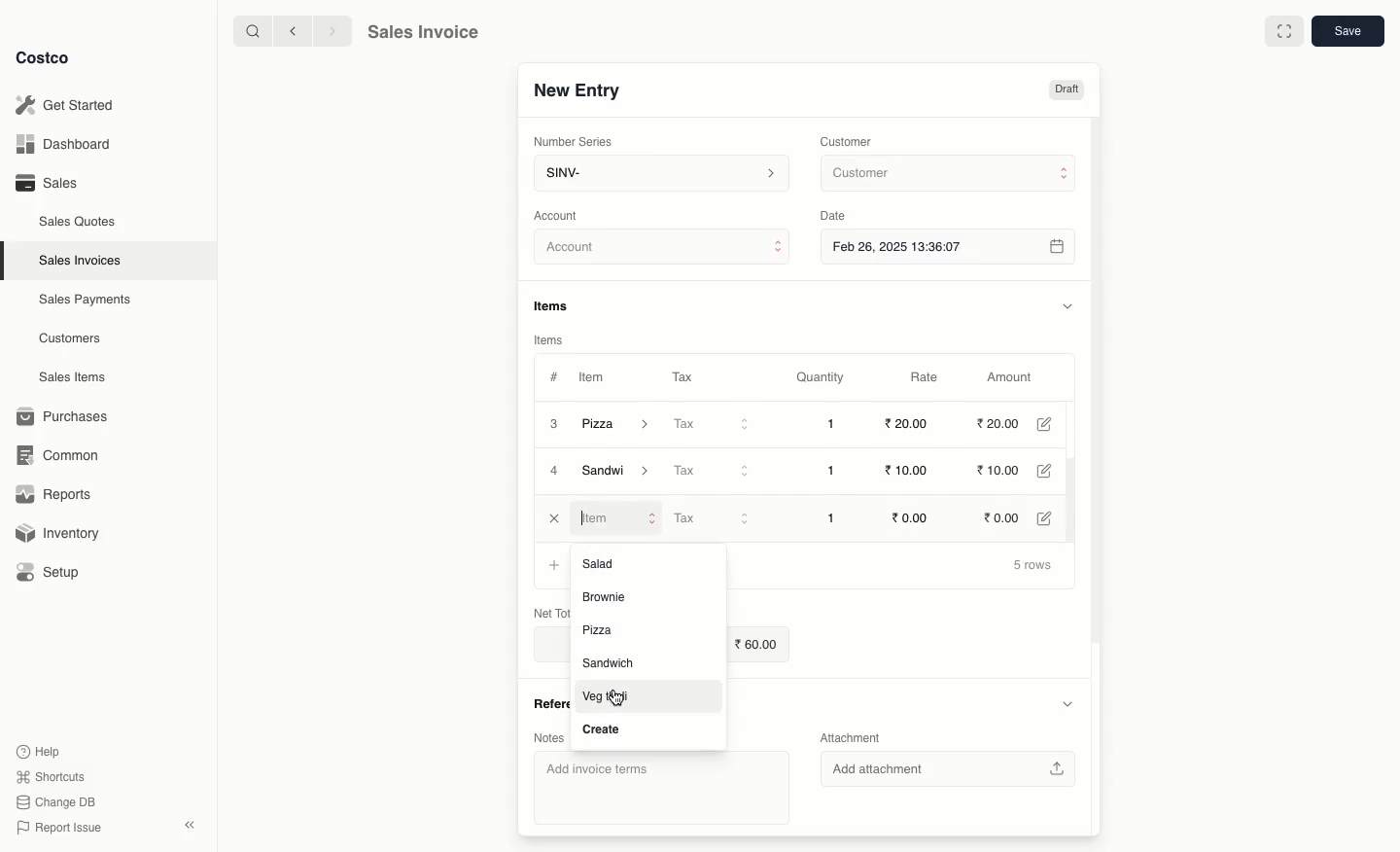 The height and width of the screenshot is (852, 1400). What do you see at coordinates (554, 518) in the screenshot?
I see `cLOSE` at bounding box center [554, 518].